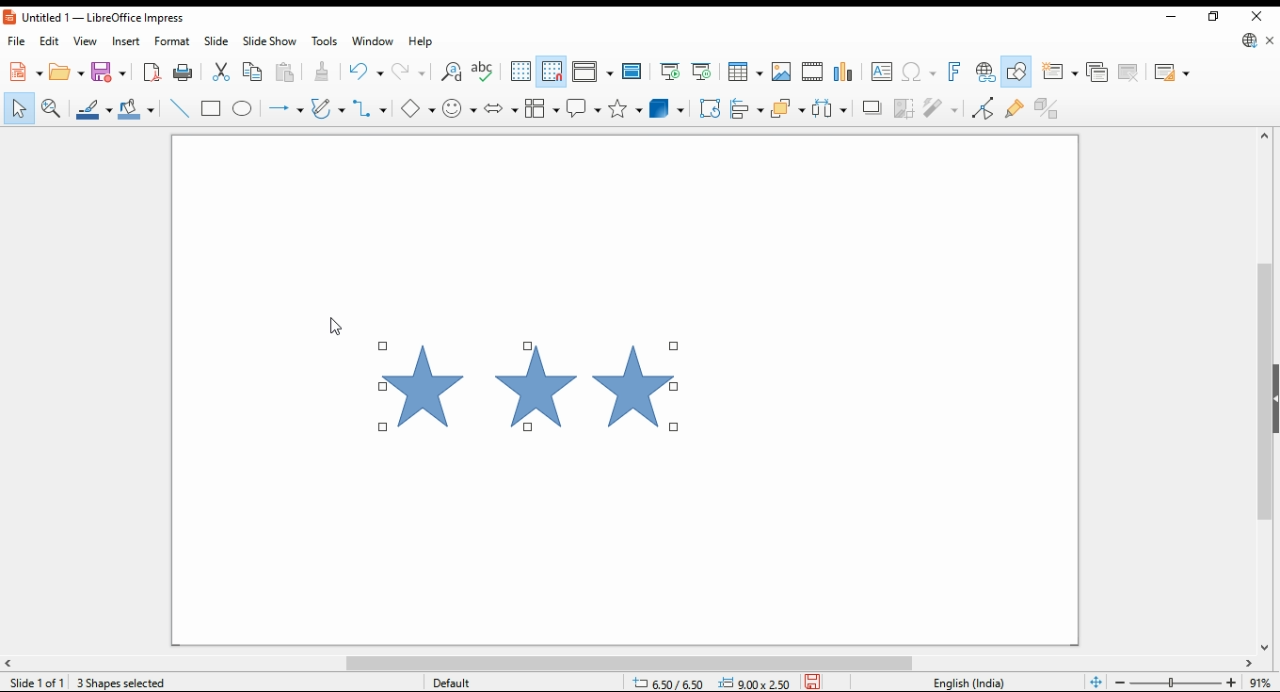 The image size is (1280, 692). I want to click on Mark Objects, so click(112, 681).